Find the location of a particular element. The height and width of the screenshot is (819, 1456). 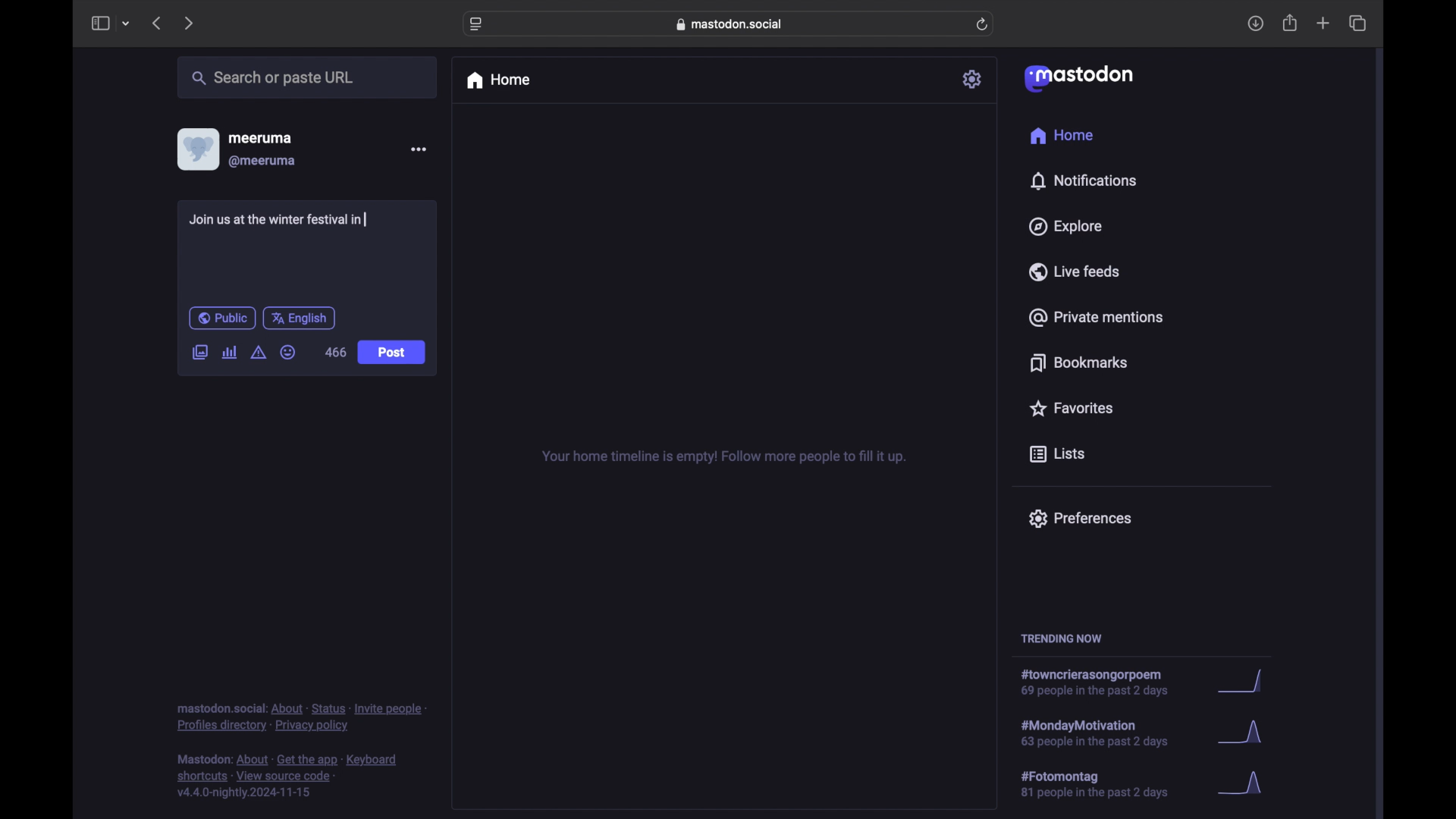

footnote is located at coordinates (302, 717).